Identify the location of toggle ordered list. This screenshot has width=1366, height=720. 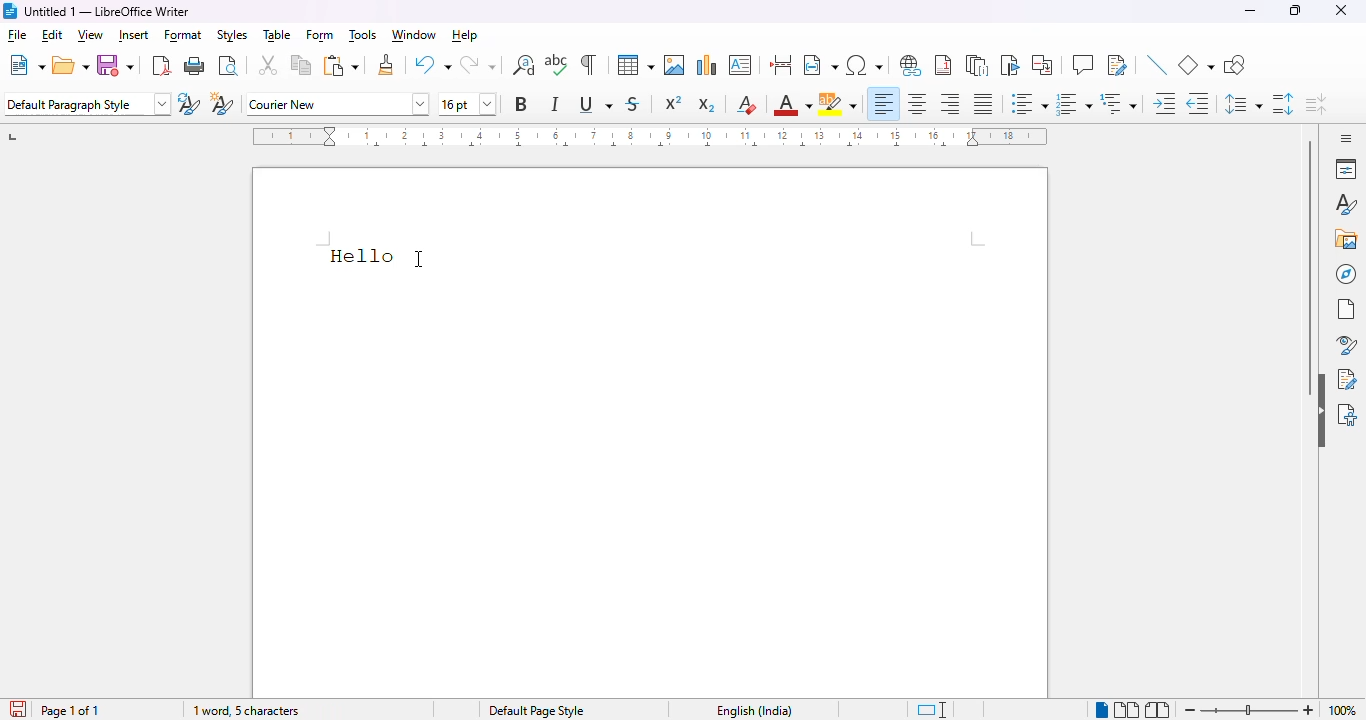
(1073, 103).